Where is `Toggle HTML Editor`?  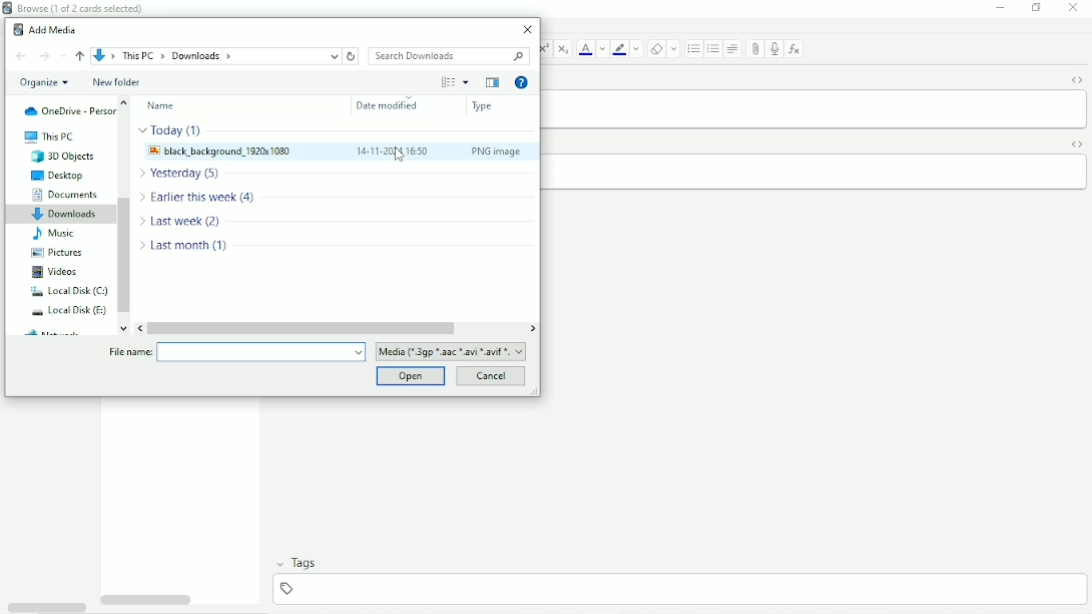
Toggle HTML Editor is located at coordinates (1077, 143).